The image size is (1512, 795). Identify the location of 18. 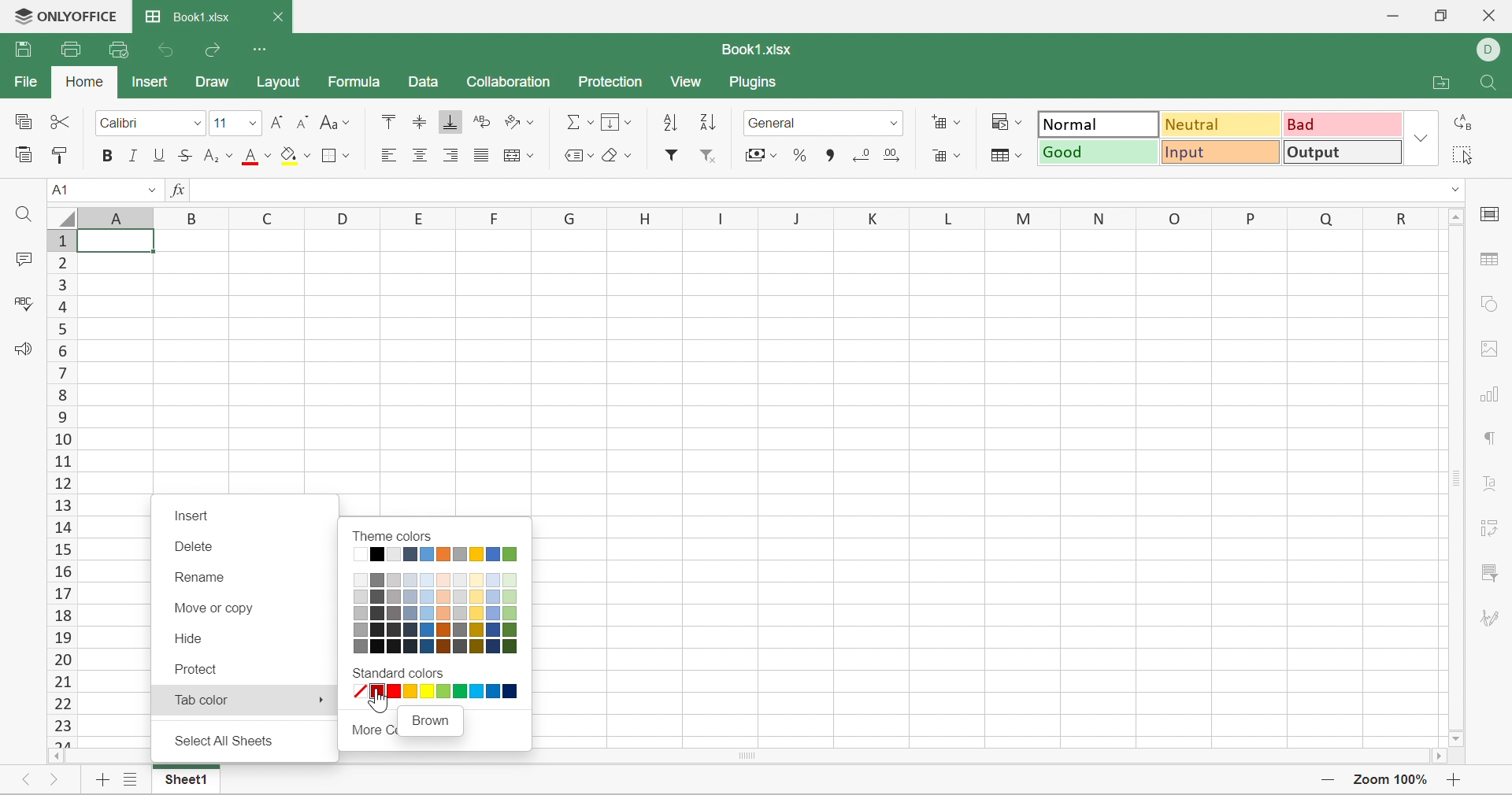
(62, 615).